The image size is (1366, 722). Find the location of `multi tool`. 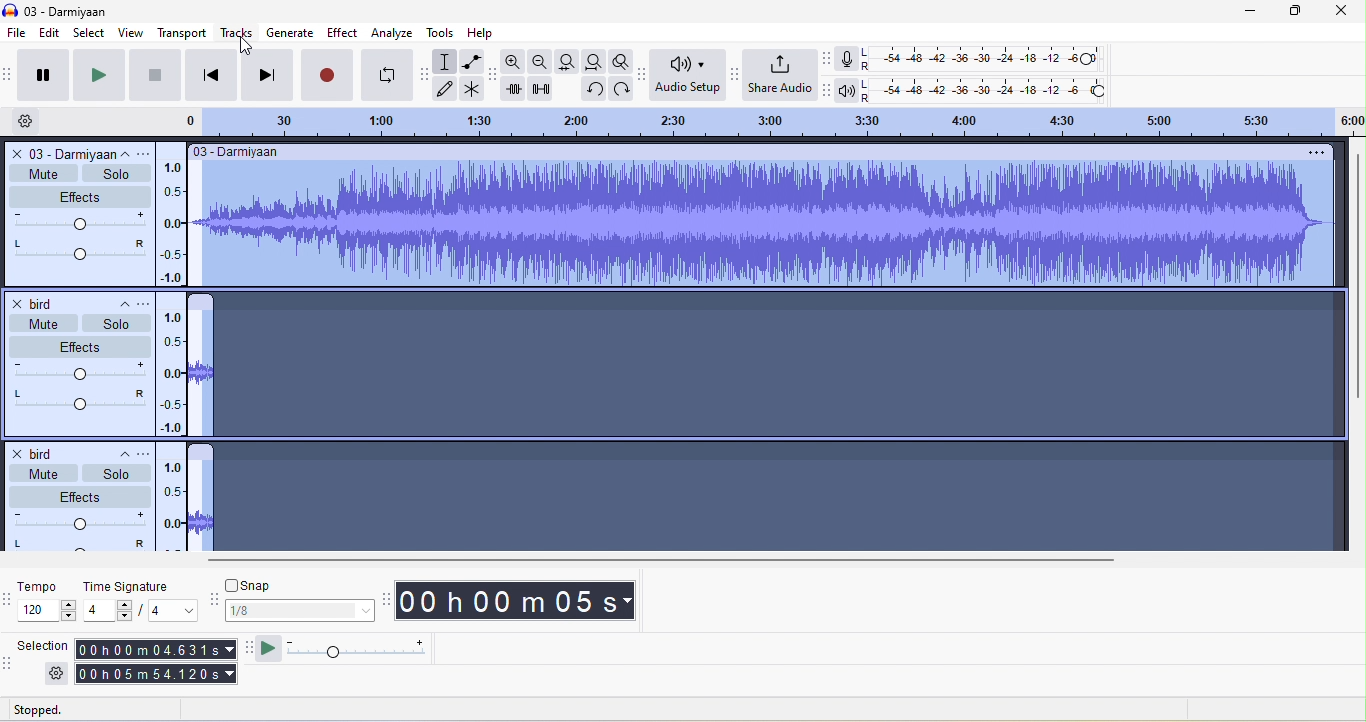

multi tool is located at coordinates (473, 91).